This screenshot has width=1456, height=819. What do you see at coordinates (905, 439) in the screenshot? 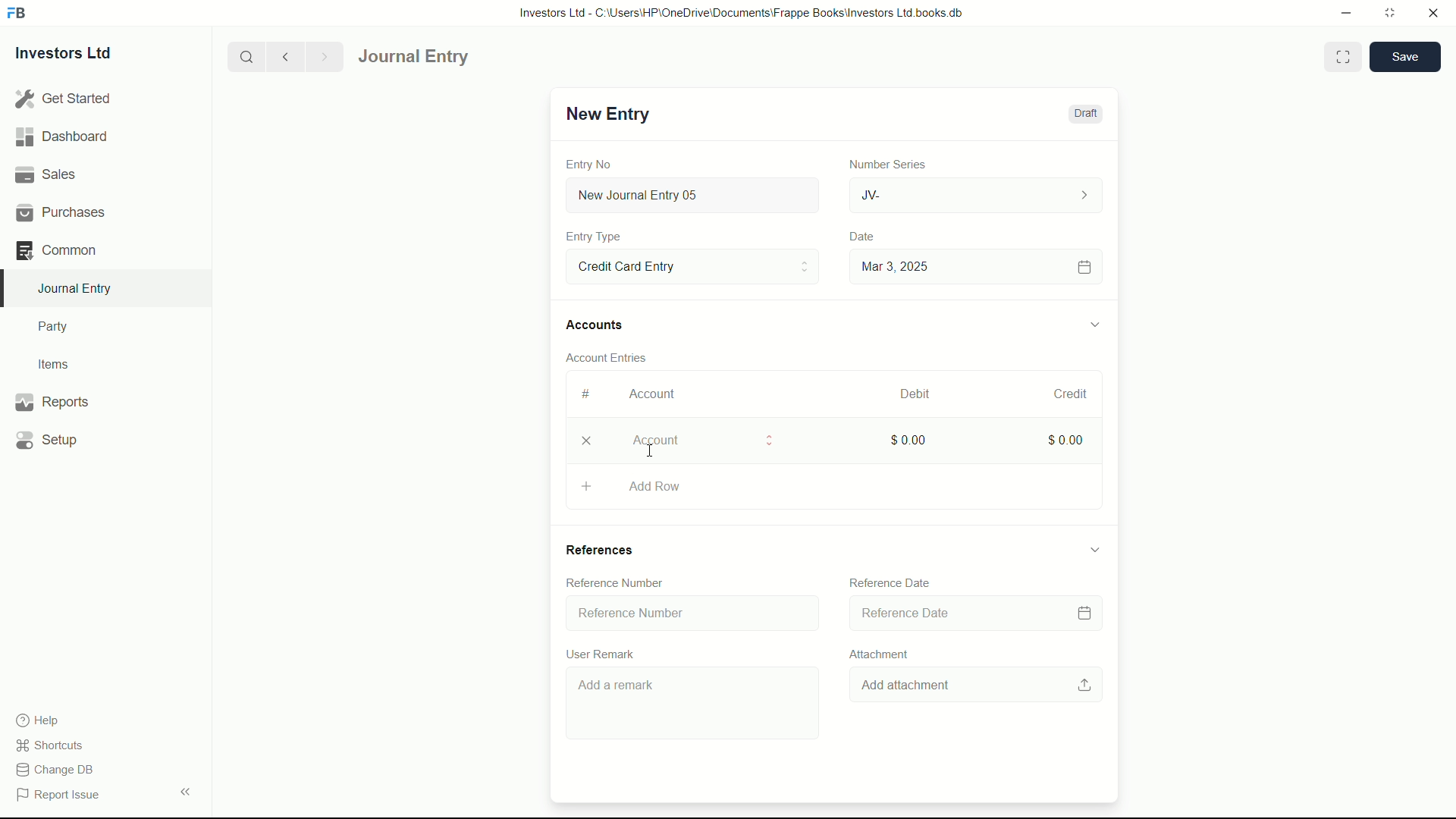
I see `$0.00` at bounding box center [905, 439].